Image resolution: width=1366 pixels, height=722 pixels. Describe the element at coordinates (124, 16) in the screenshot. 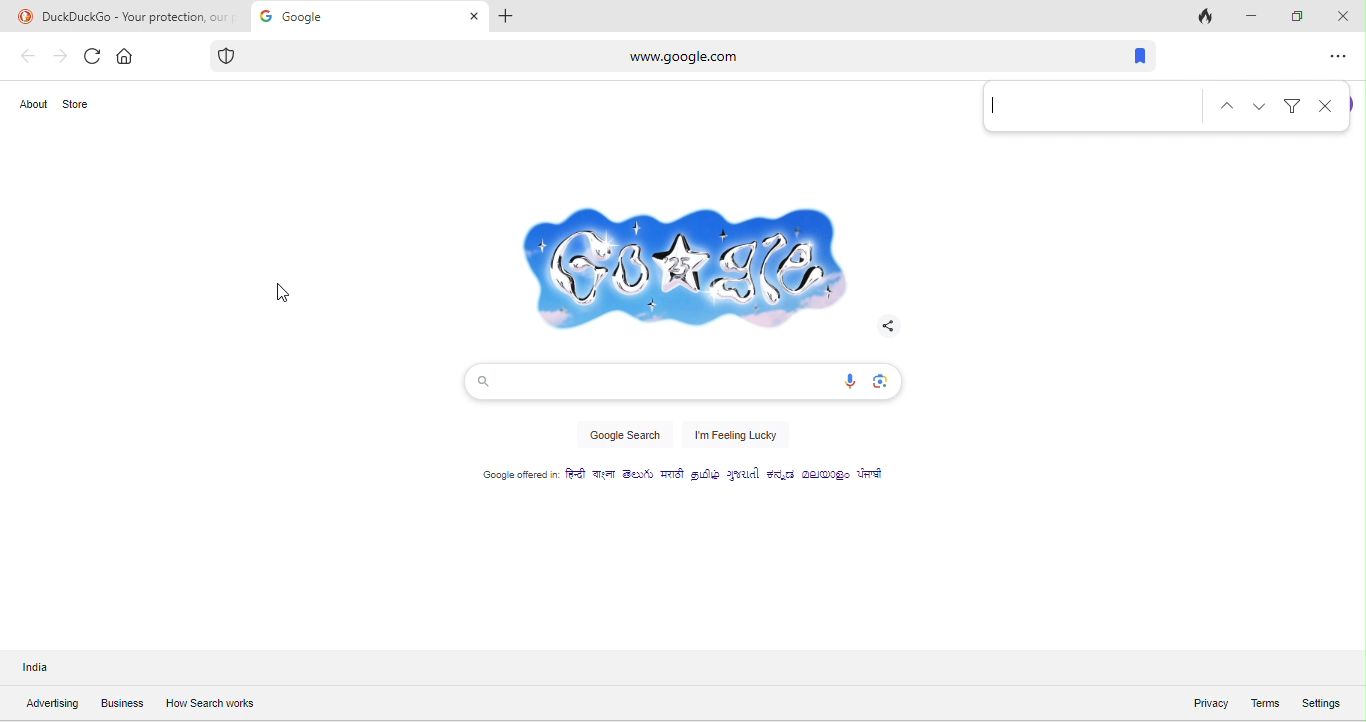

I see `DuckGoDuckGo - Your protection` at that location.